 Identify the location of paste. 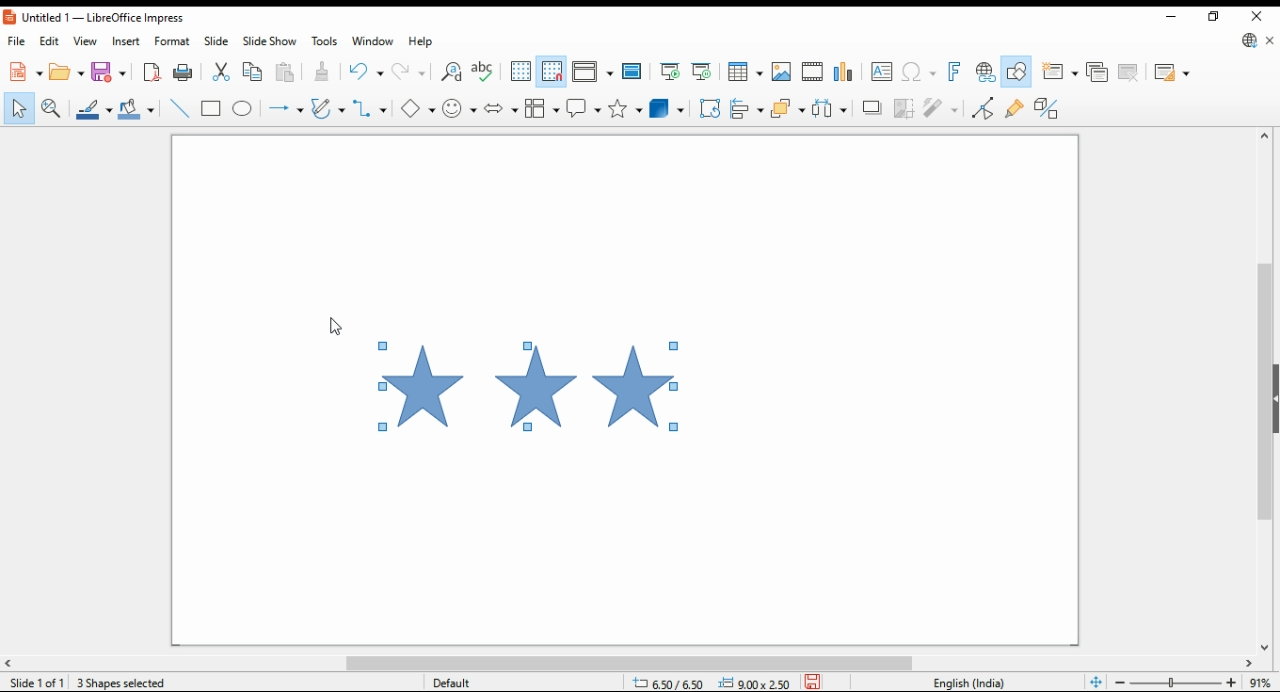
(287, 72).